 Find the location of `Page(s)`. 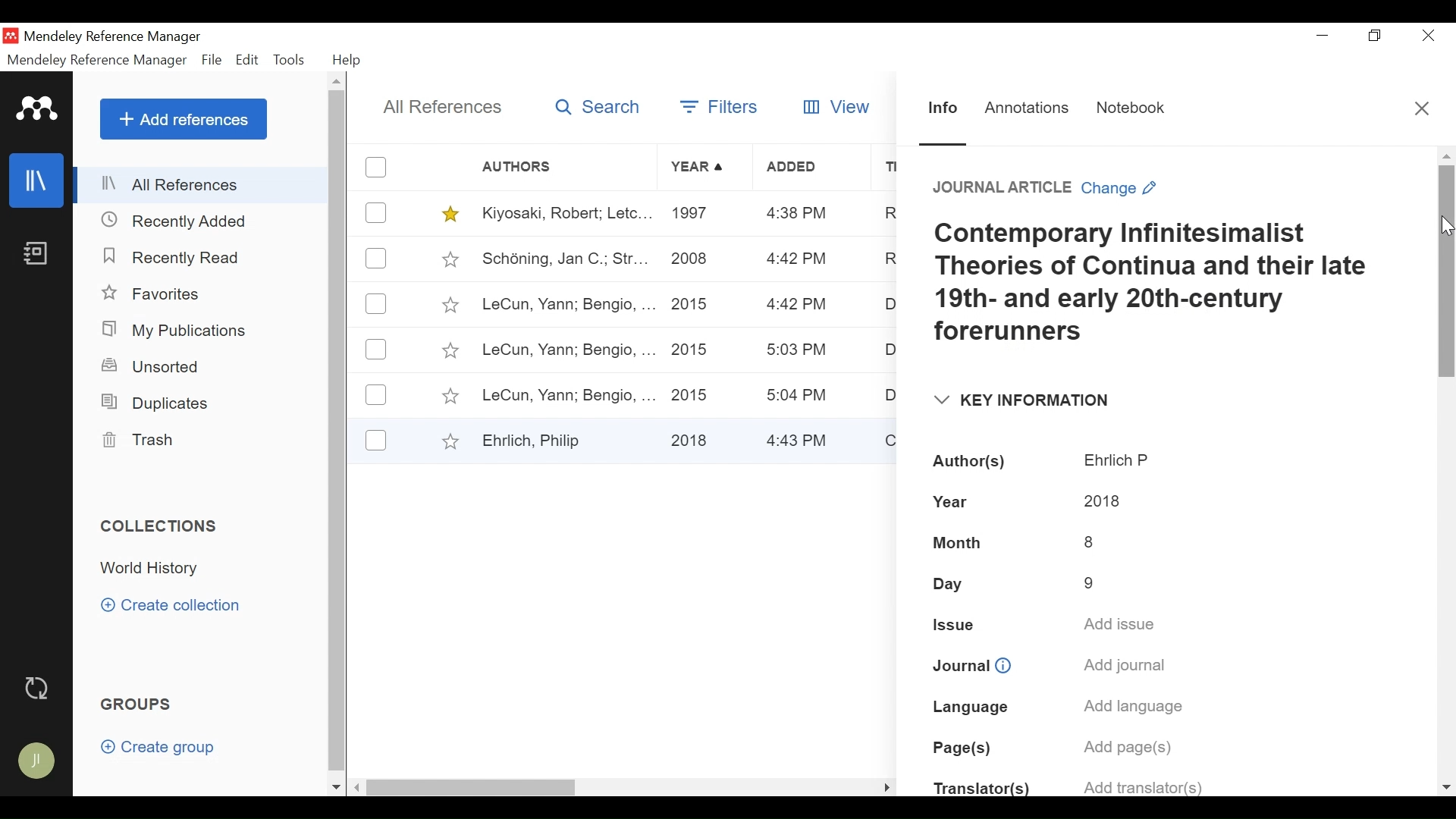

Page(s) is located at coordinates (963, 750).